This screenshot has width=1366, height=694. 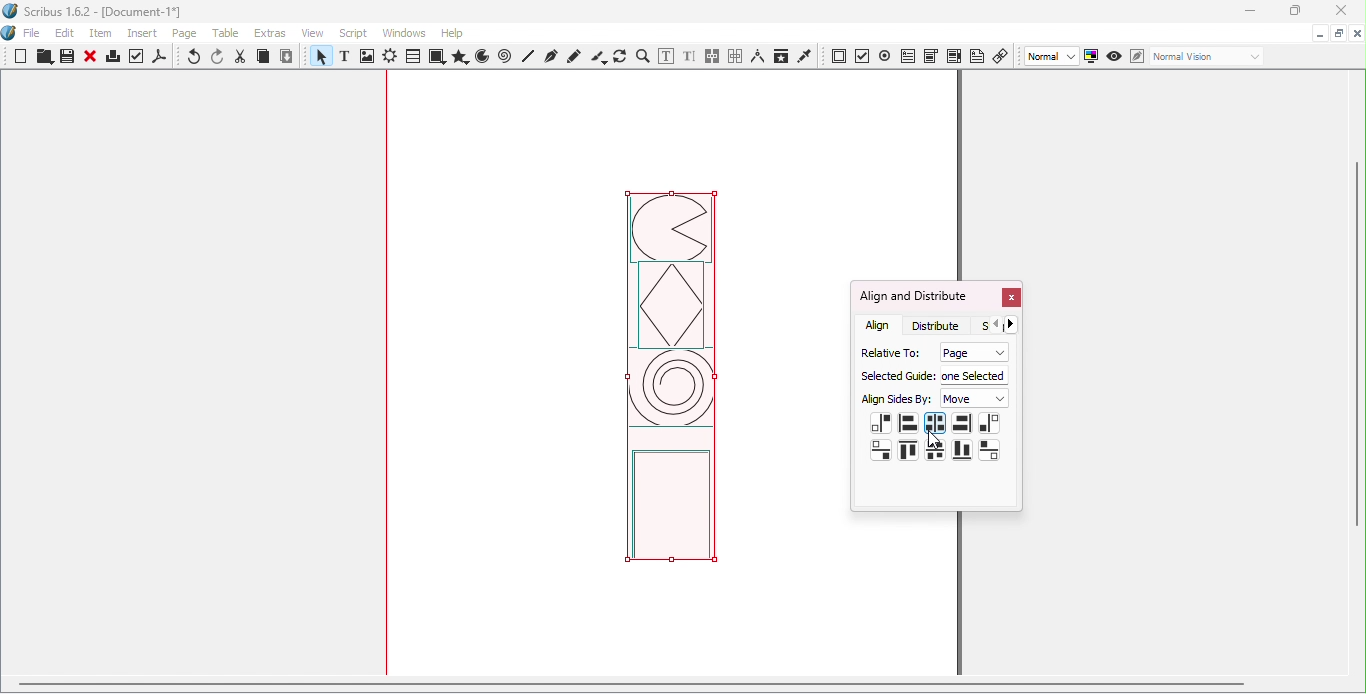 What do you see at coordinates (273, 33) in the screenshot?
I see `Extras` at bounding box center [273, 33].